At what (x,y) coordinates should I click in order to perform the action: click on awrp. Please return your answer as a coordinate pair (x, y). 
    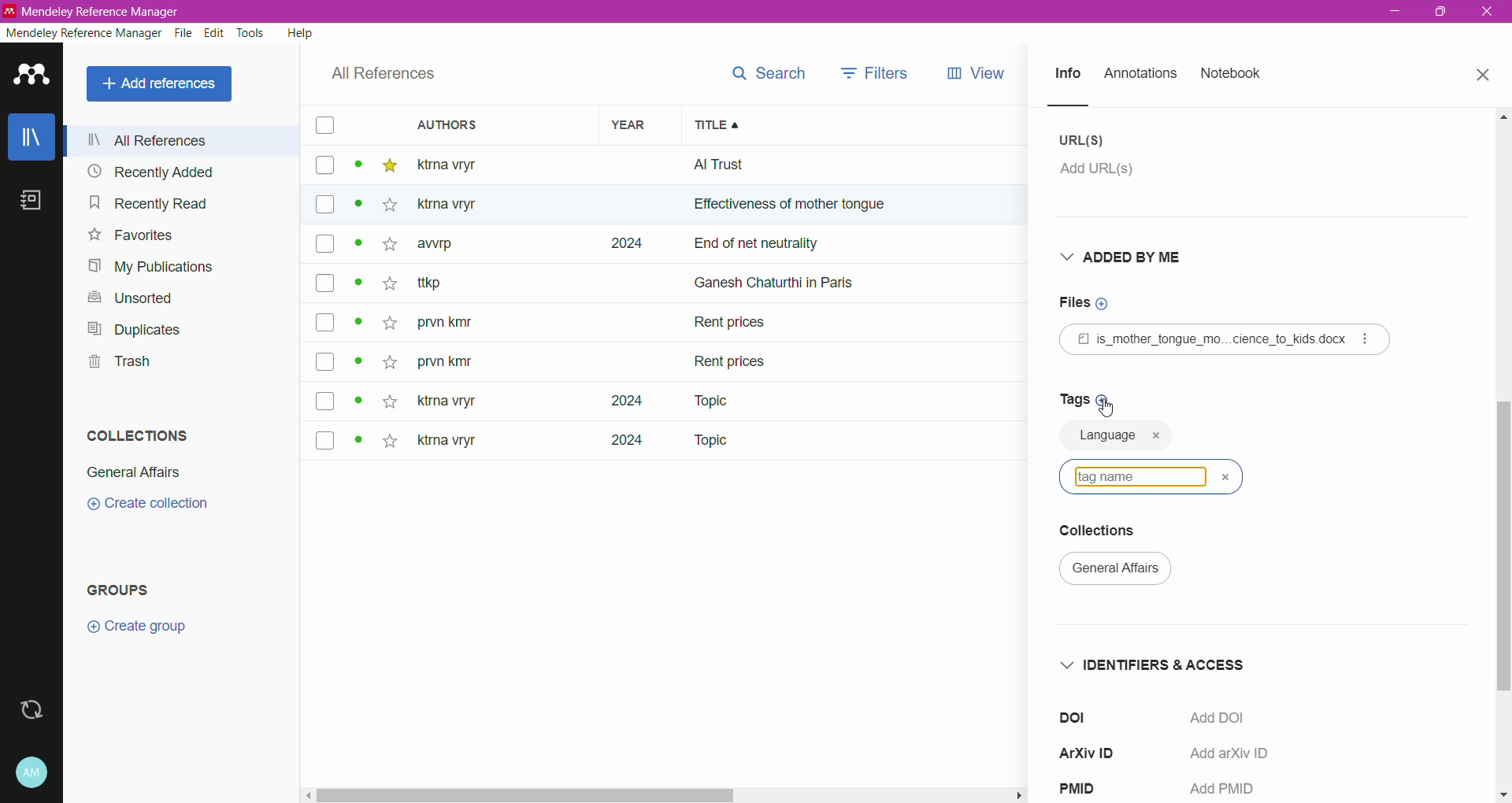
    Looking at the image, I should click on (447, 249).